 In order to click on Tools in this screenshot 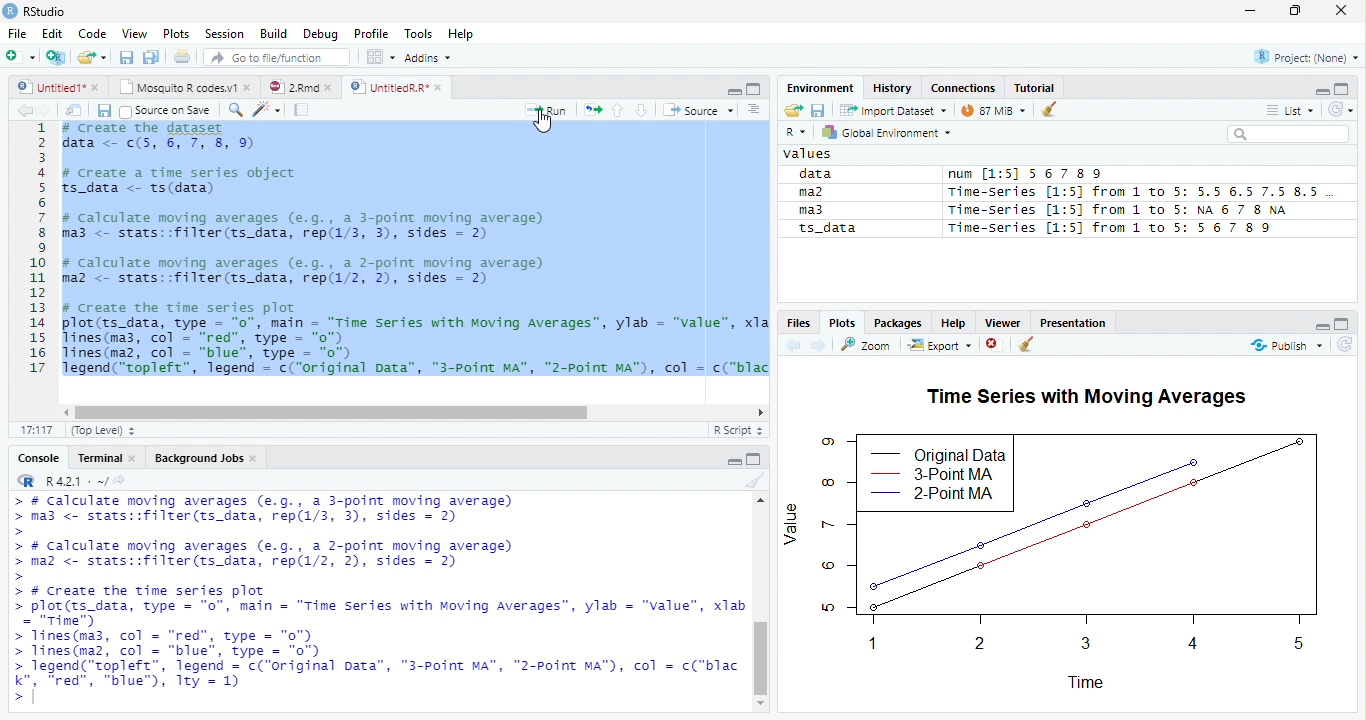, I will do `click(419, 33)`.